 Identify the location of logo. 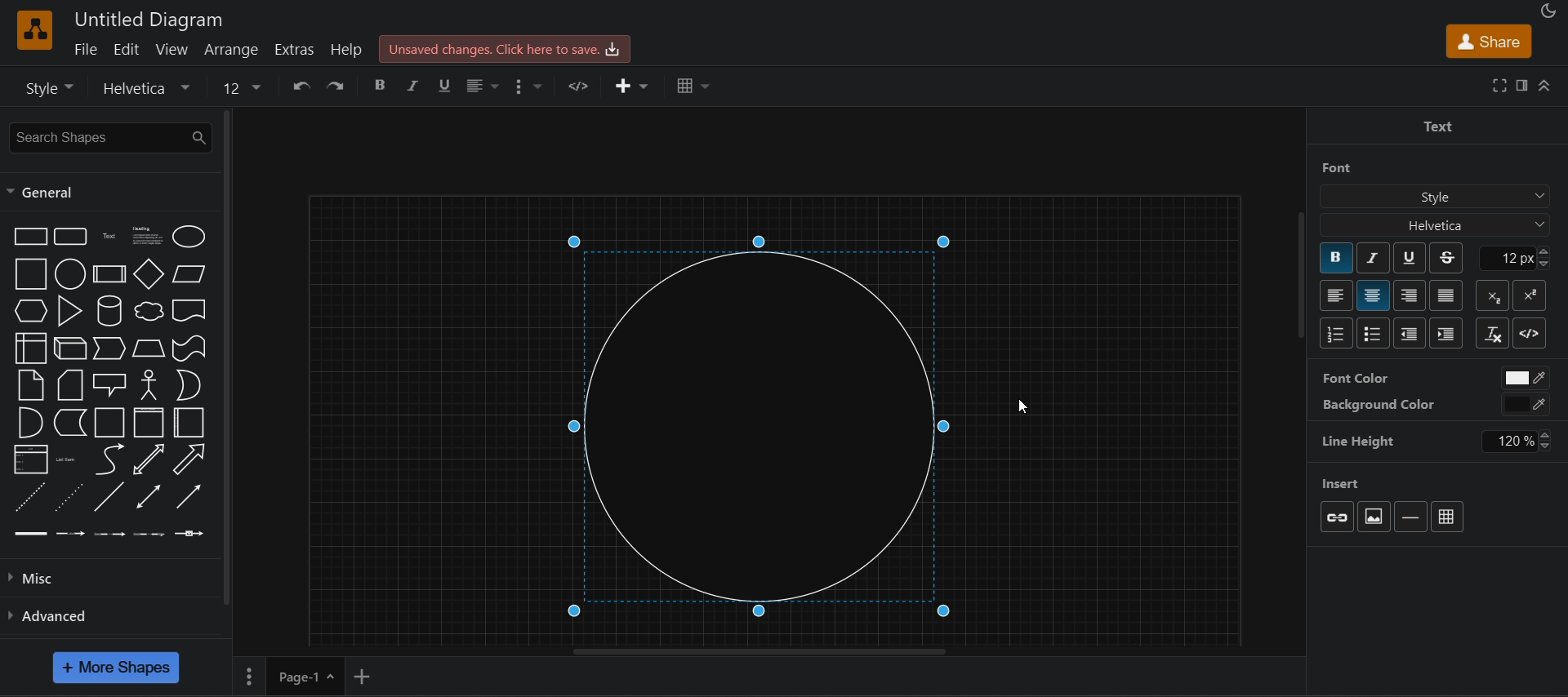
(33, 30).